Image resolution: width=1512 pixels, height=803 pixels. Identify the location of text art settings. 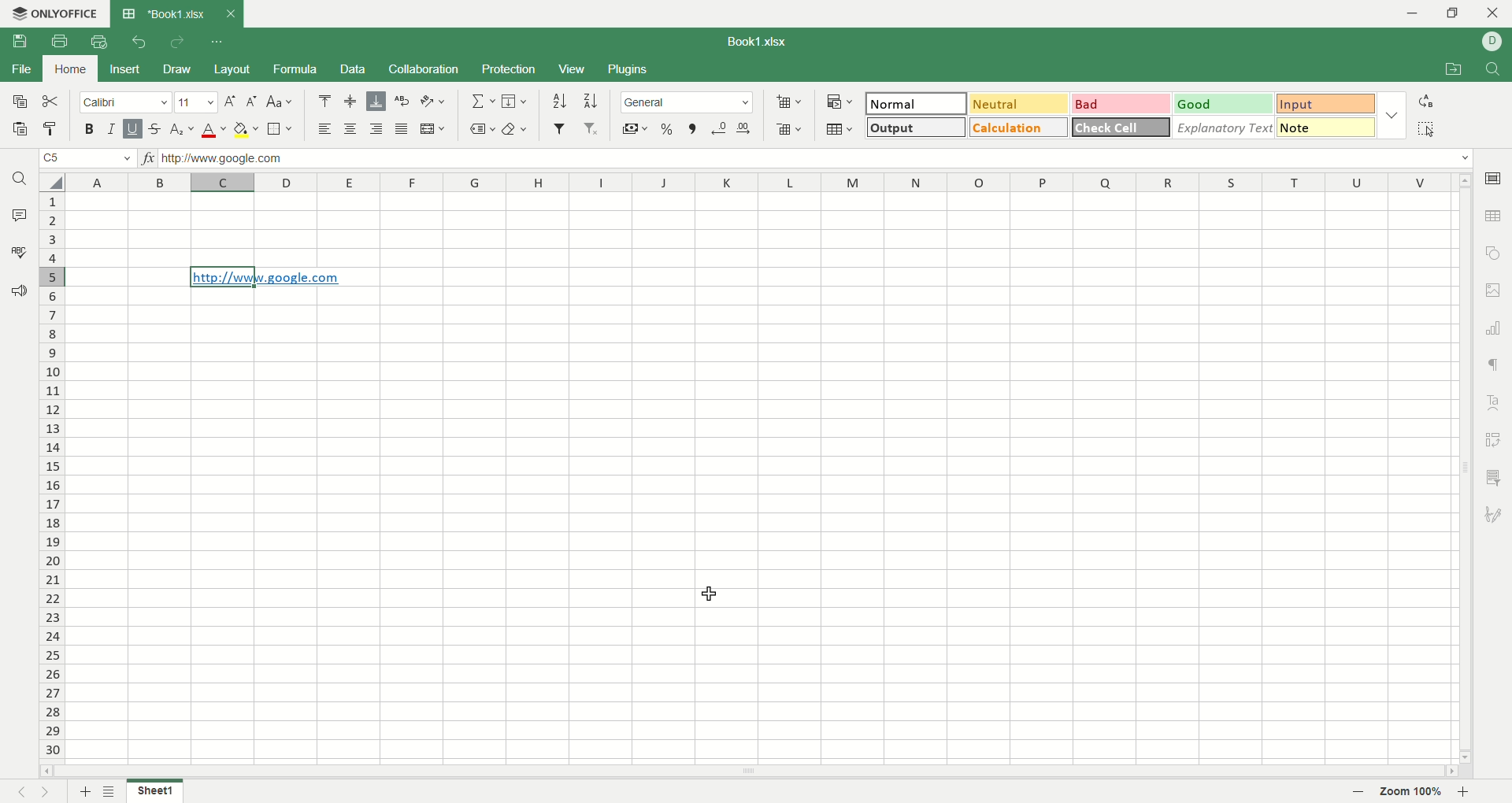
(1497, 399).